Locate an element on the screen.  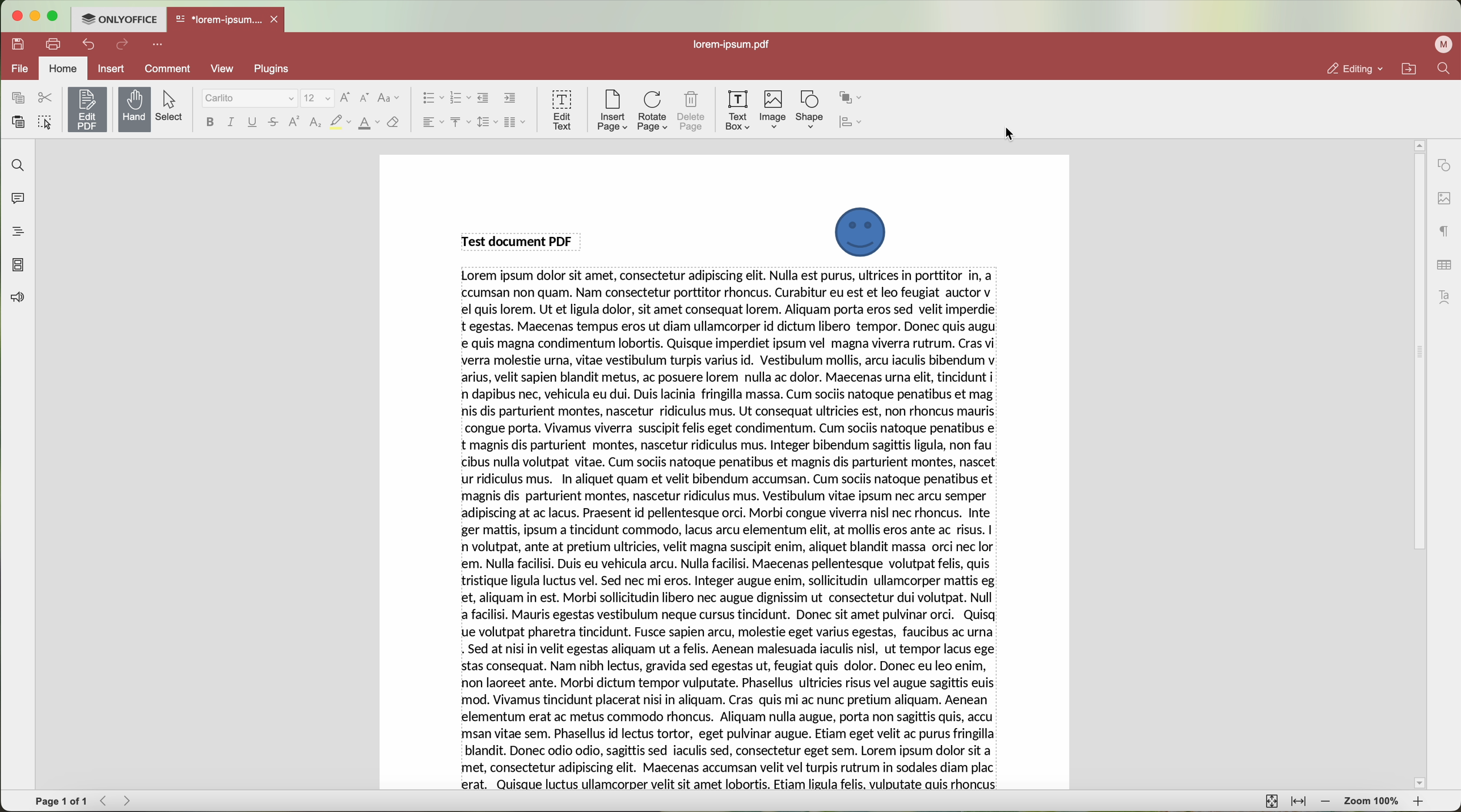
color font is located at coordinates (369, 123).